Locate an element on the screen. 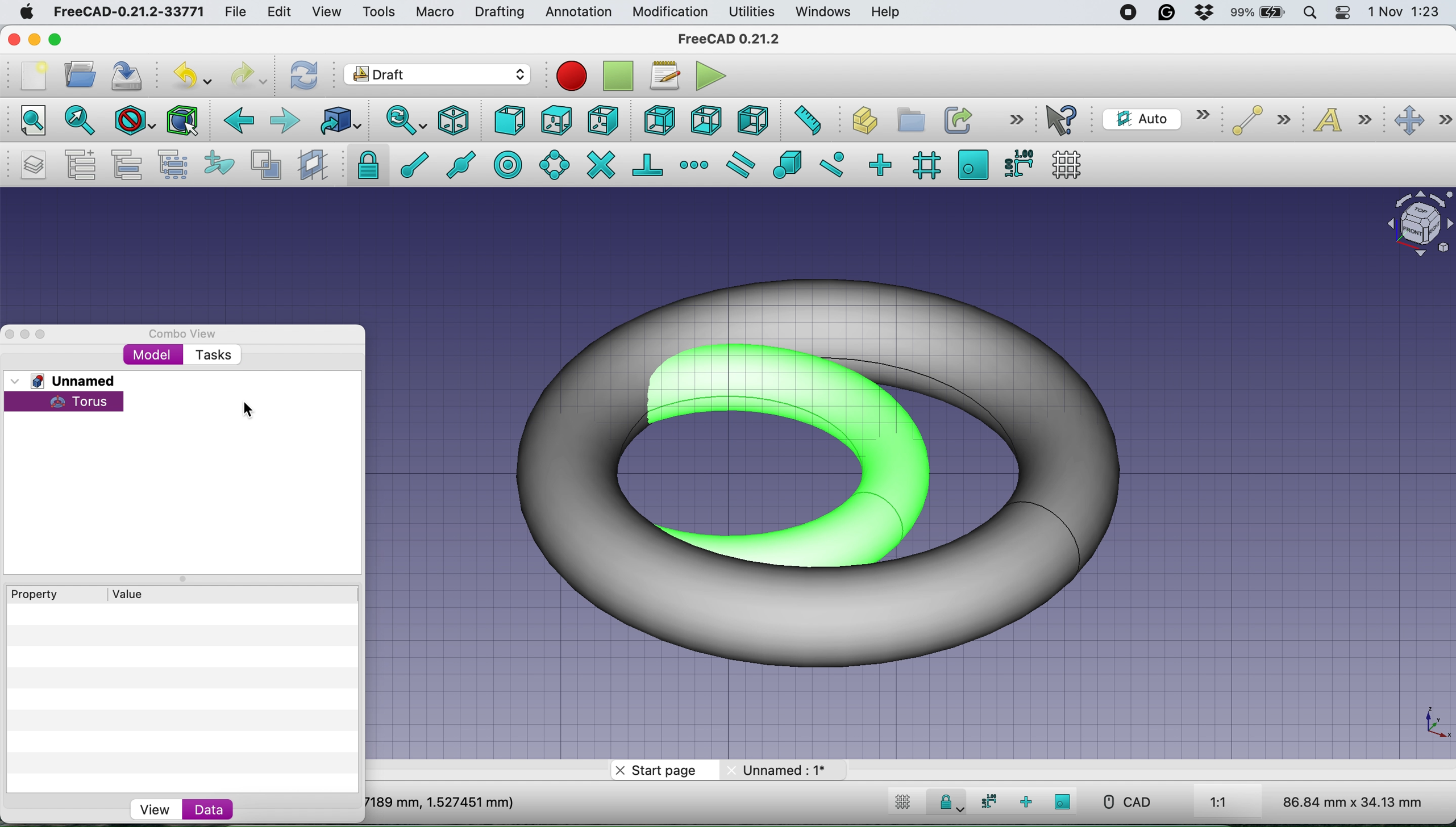 The width and height of the screenshot is (1456, 827). move is located at coordinates (1422, 121).